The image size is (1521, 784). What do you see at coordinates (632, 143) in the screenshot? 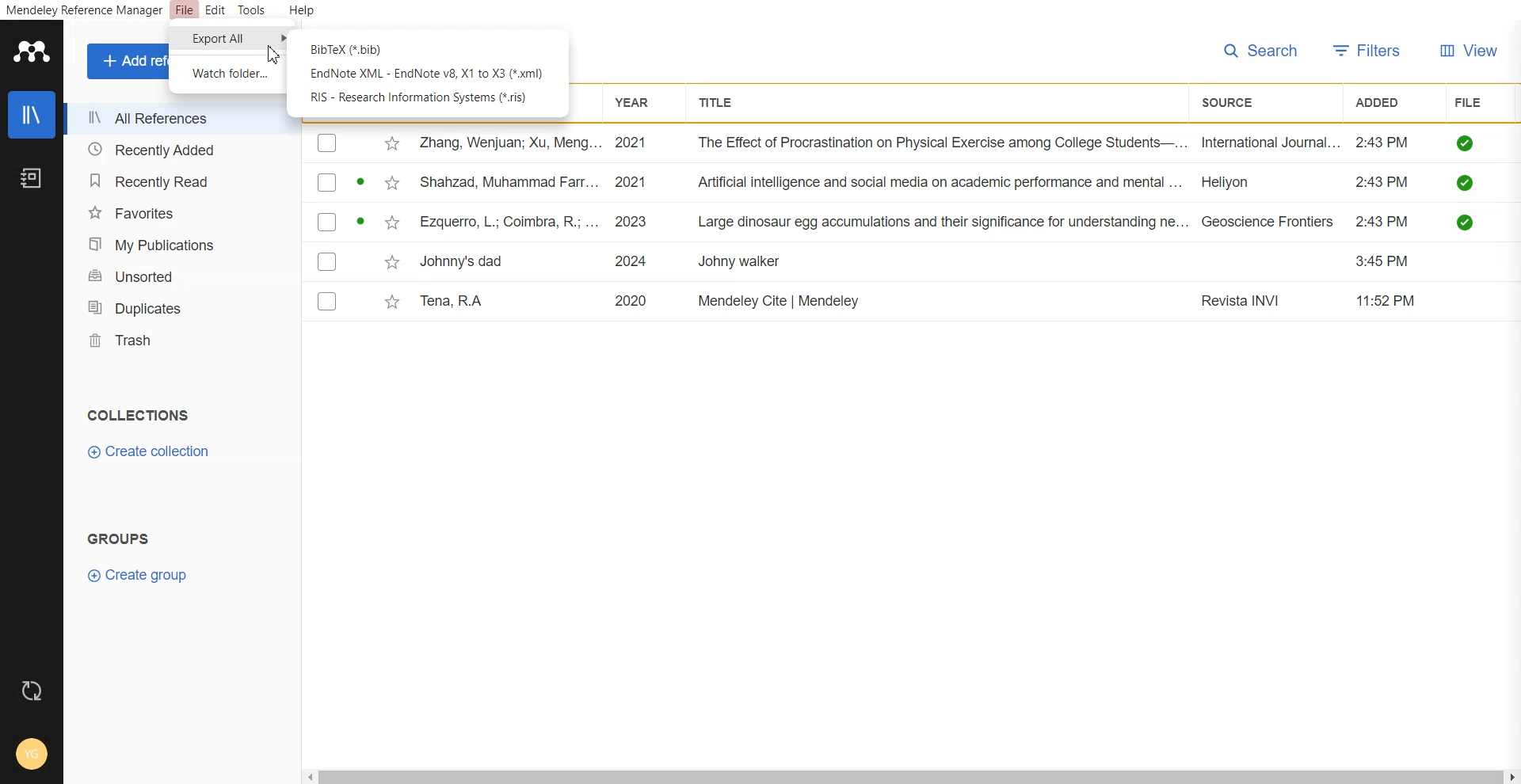
I see `2021` at bounding box center [632, 143].